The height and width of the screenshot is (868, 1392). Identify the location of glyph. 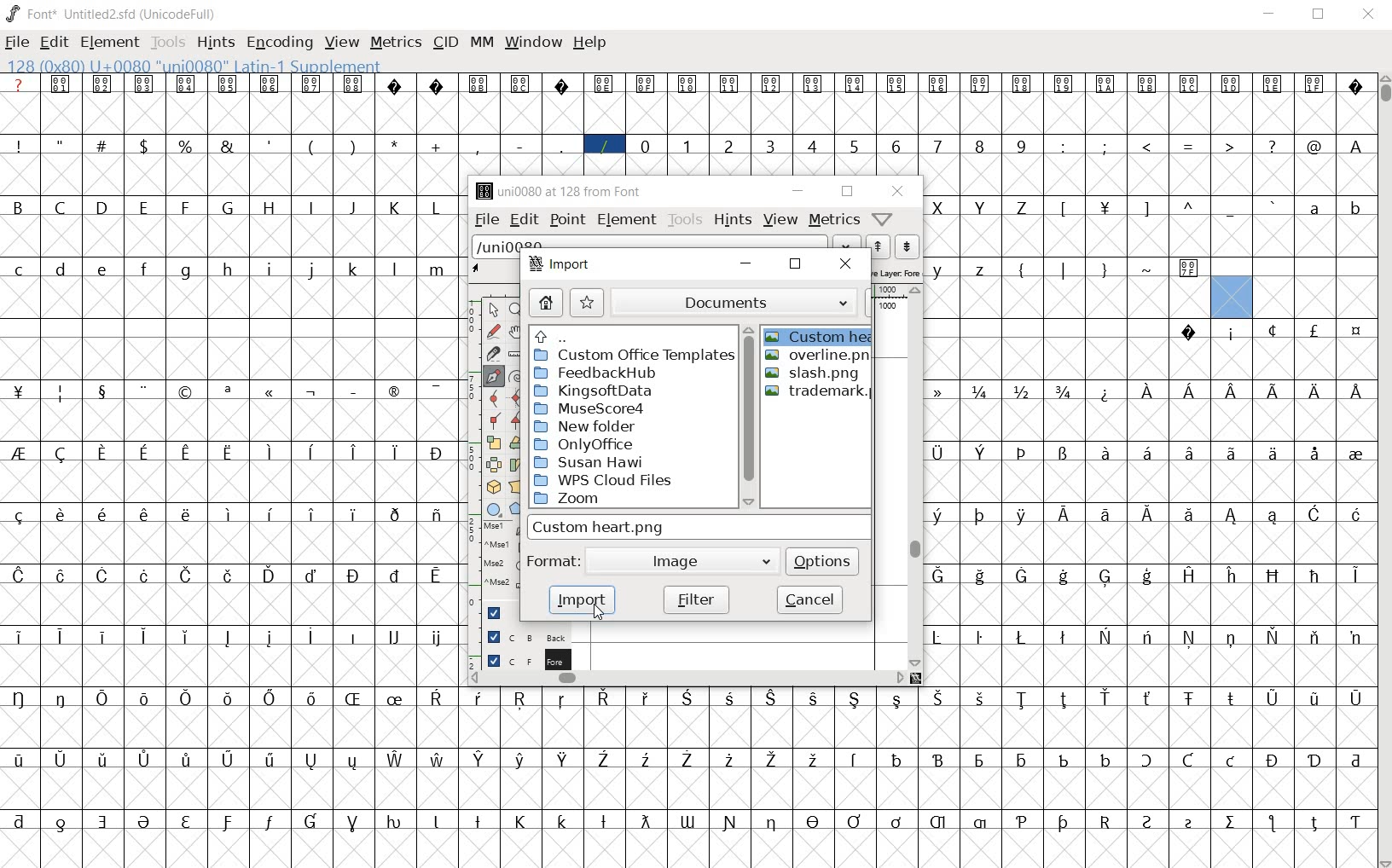
(309, 636).